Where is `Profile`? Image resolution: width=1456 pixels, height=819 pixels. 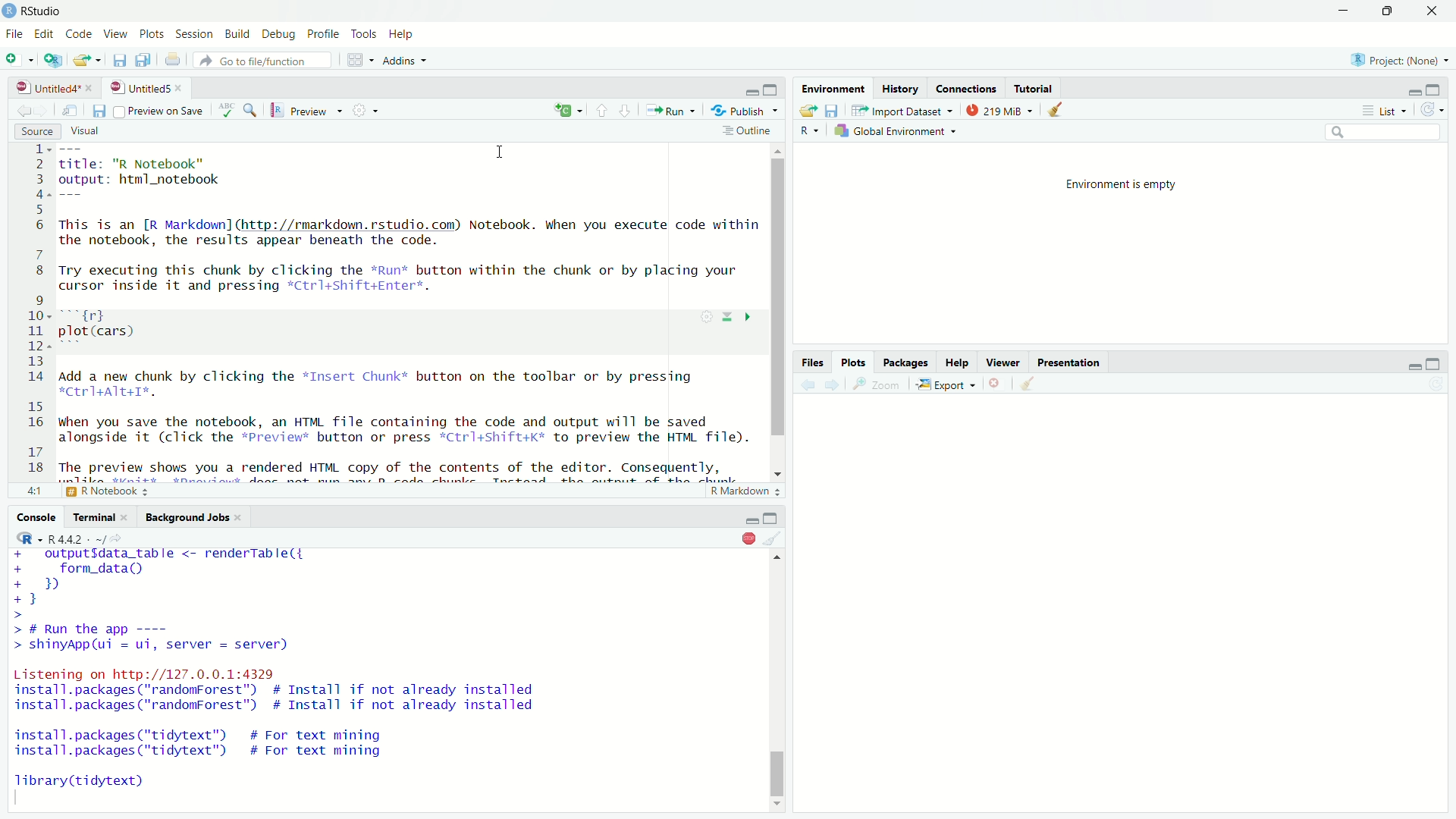
Profile is located at coordinates (322, 35).